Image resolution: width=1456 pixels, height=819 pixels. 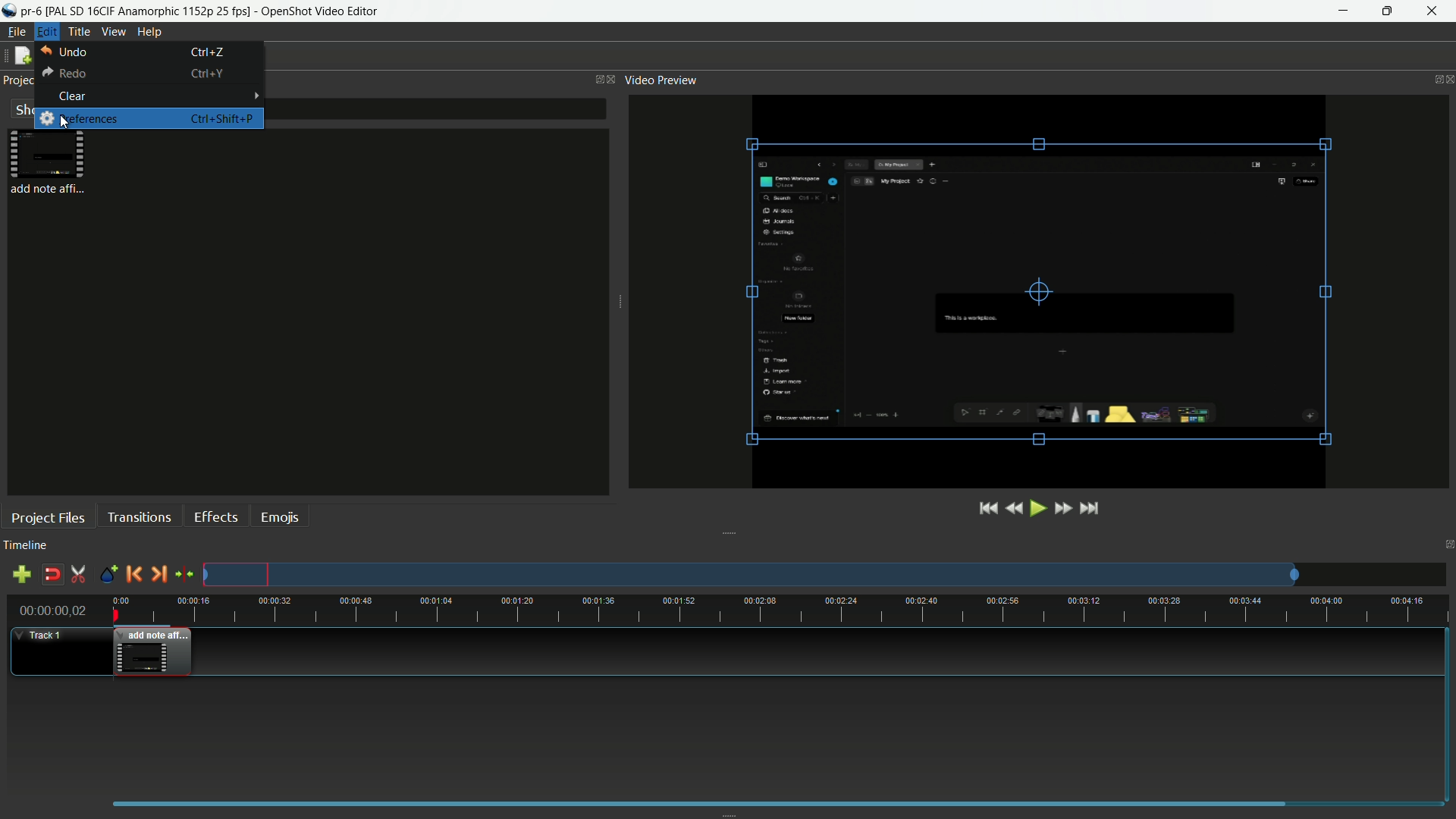 I want to click on current time, so click(x=54, y=610).